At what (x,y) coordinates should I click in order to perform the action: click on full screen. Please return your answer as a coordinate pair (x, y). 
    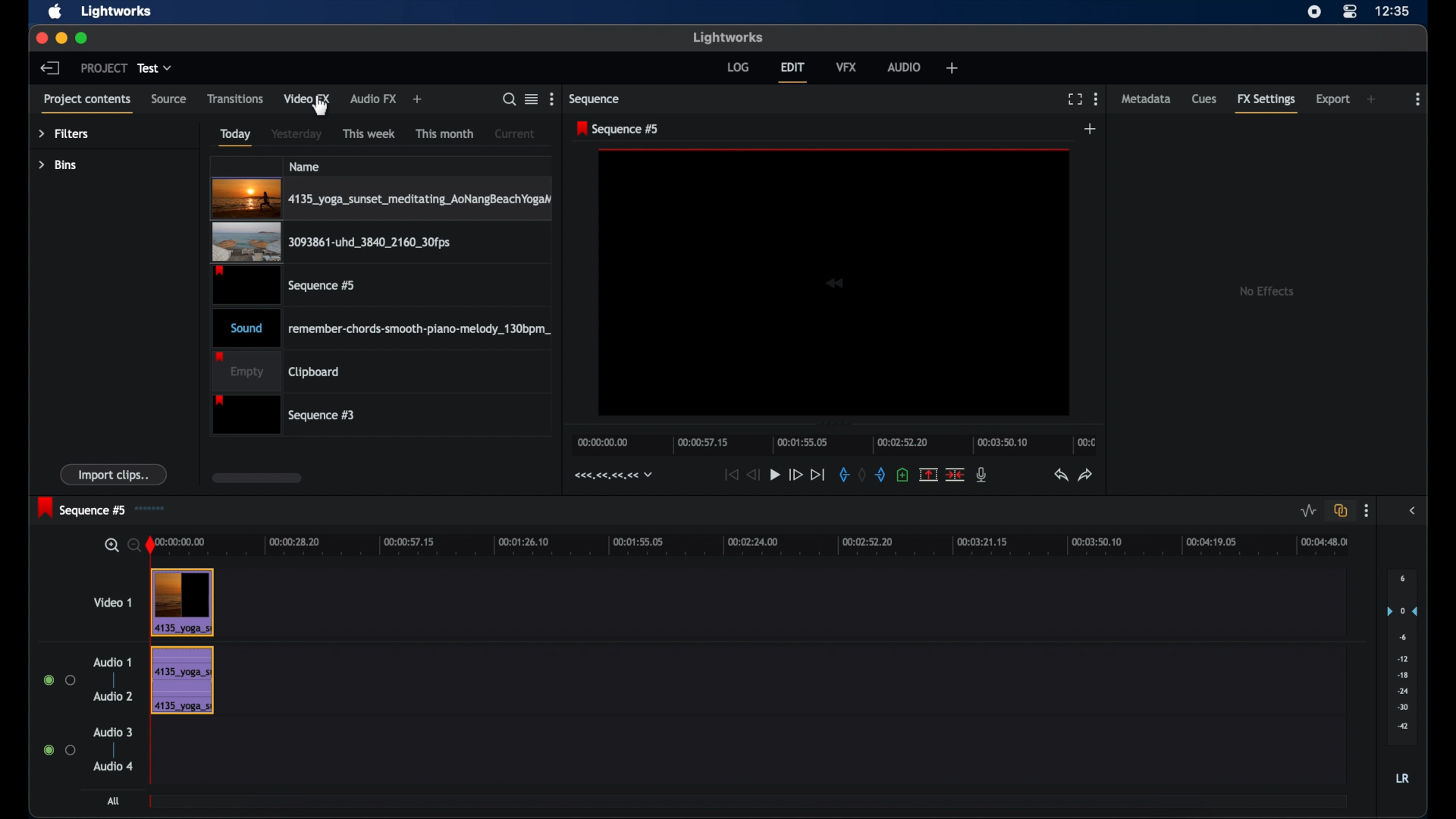
    Looking at the image, I should click on (1075, 99).